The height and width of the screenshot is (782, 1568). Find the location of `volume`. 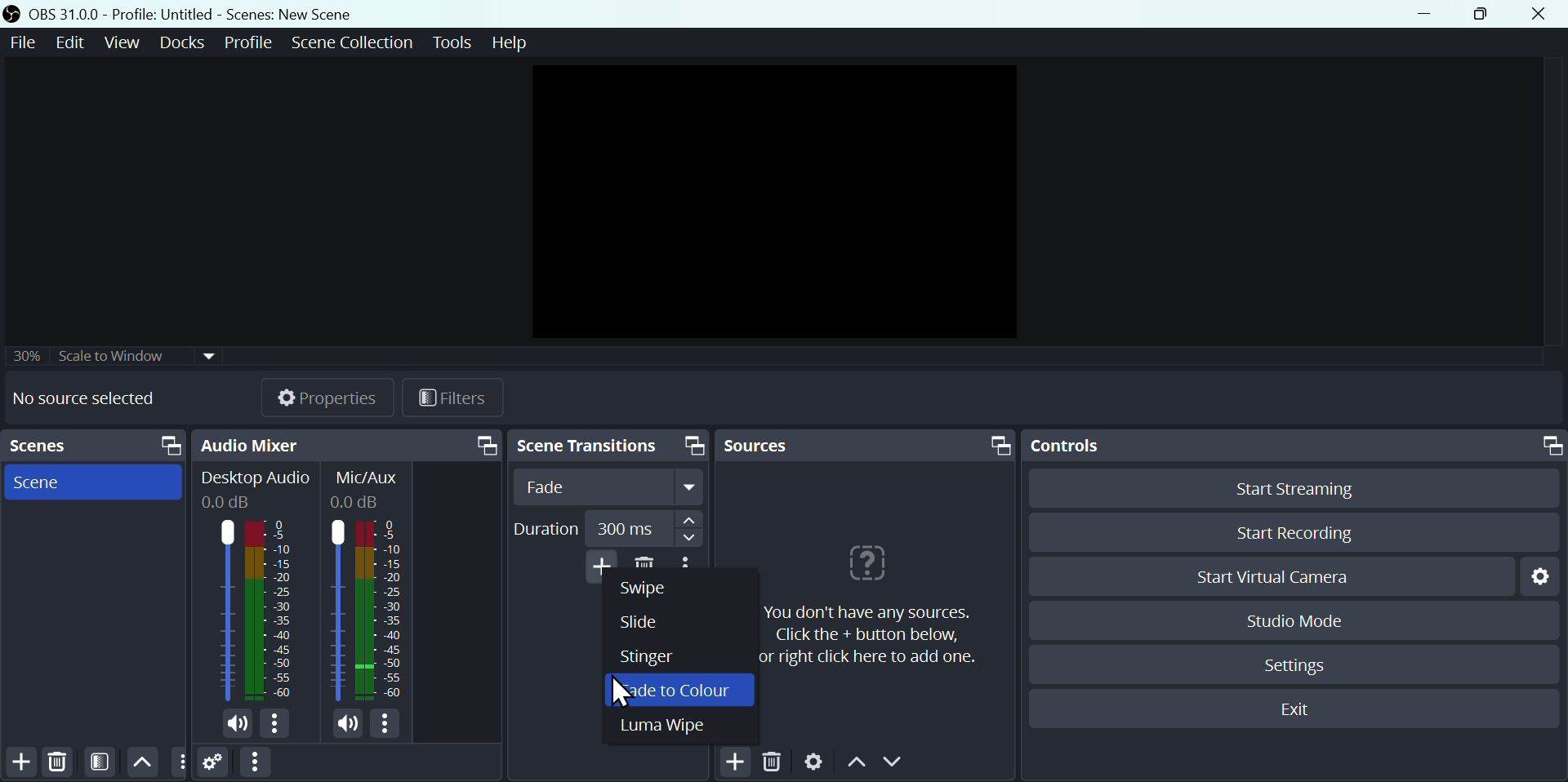

volume is located at coordinates (233, 725).